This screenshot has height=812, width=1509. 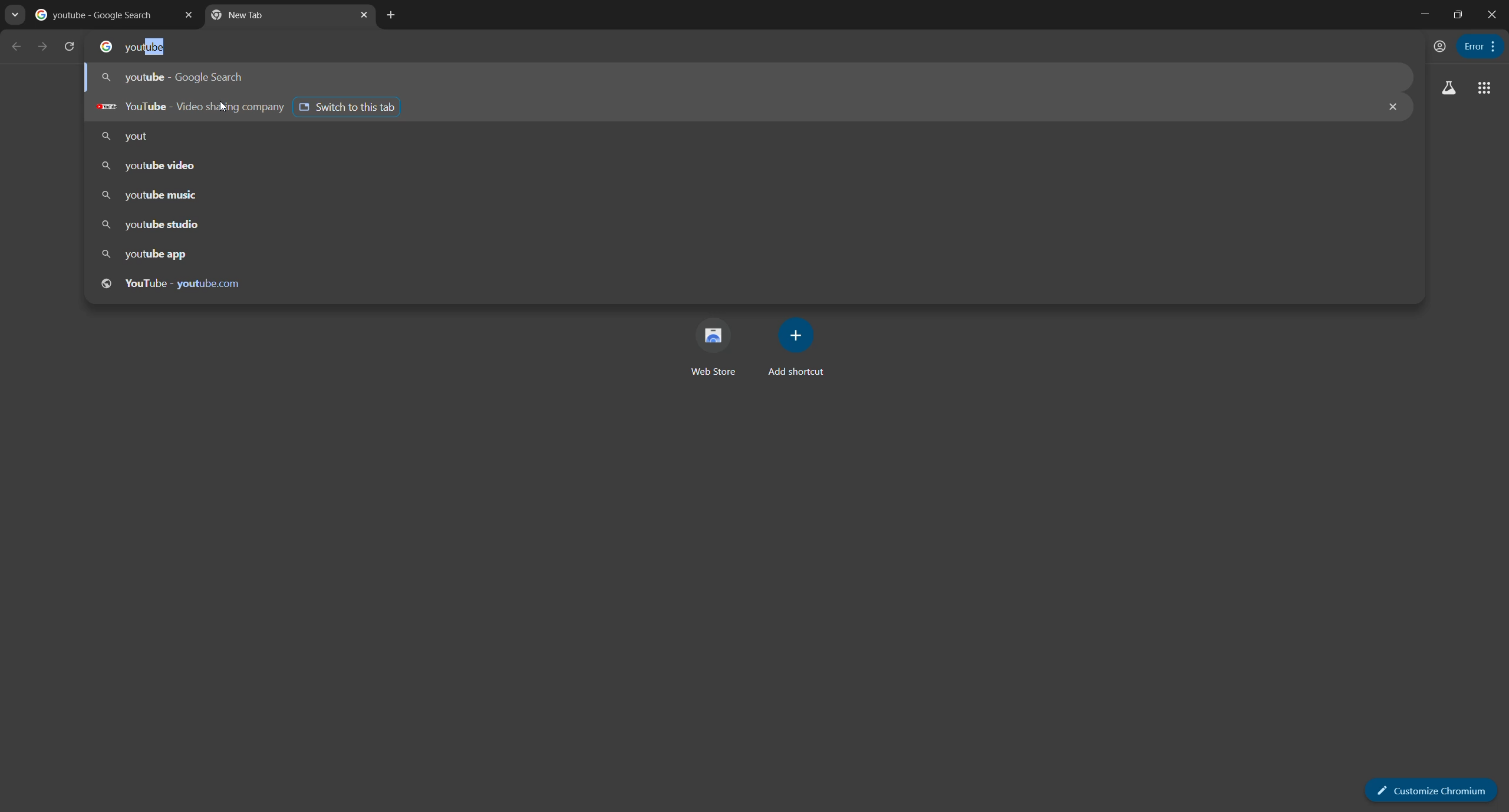 I want to click on account, so click(x=1438, y=46).